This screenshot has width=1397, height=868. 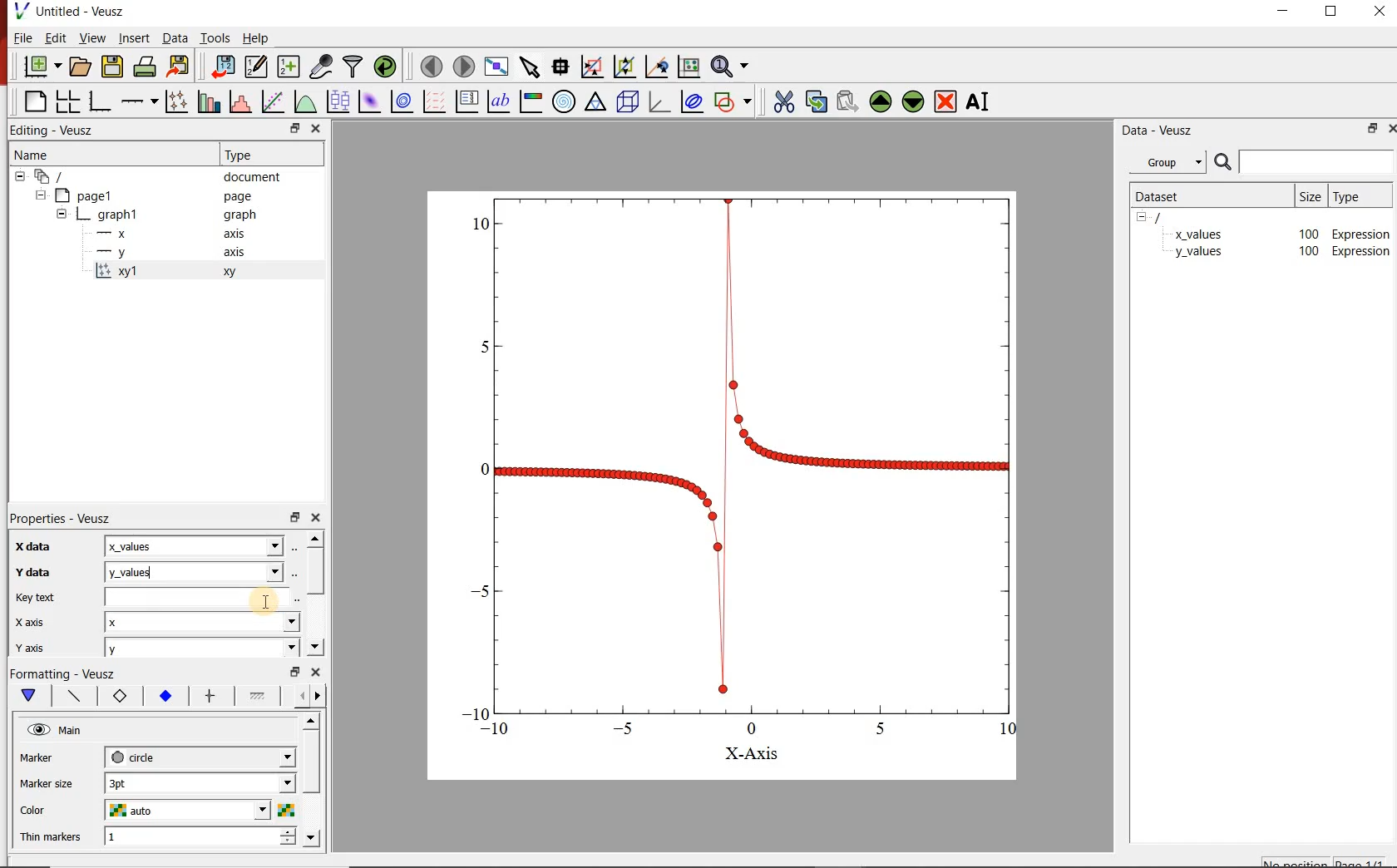 I want to click on Untitled - Veusz, so click(x=81, y=11).